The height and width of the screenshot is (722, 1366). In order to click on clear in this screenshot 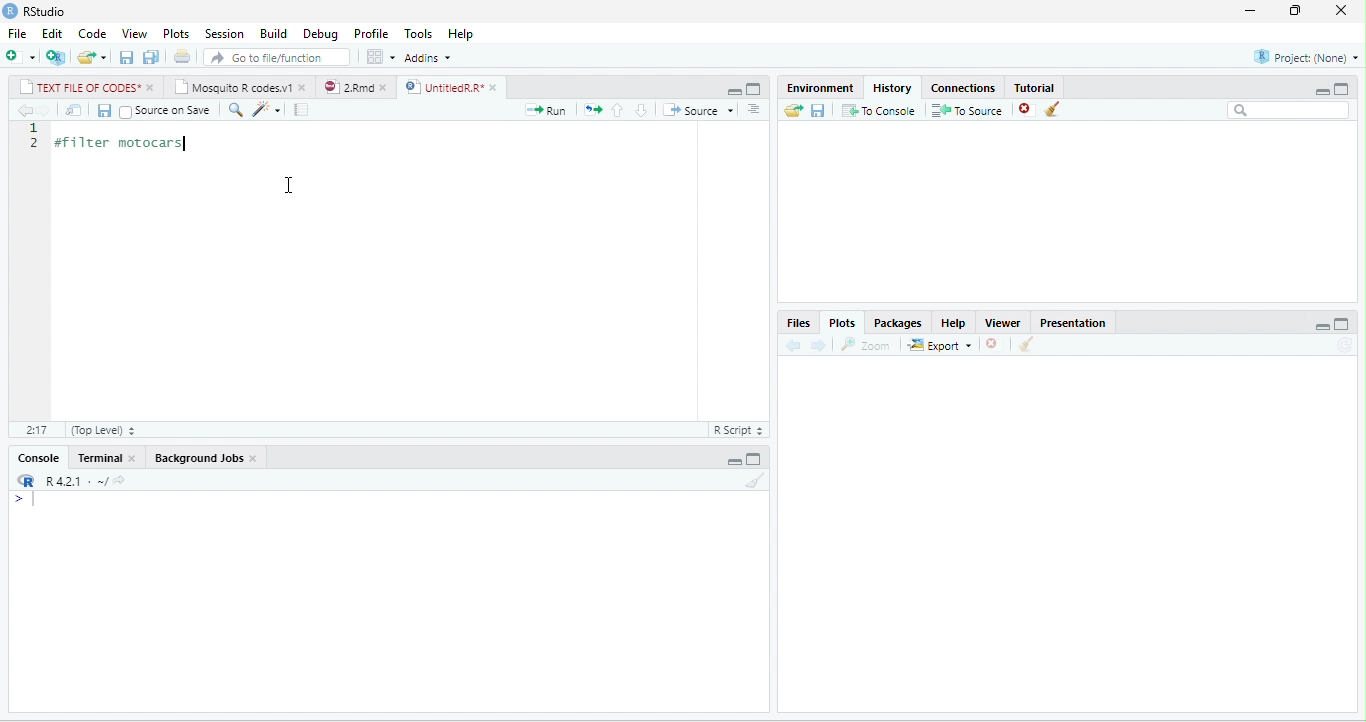, I will do `click(1053, 108)`.